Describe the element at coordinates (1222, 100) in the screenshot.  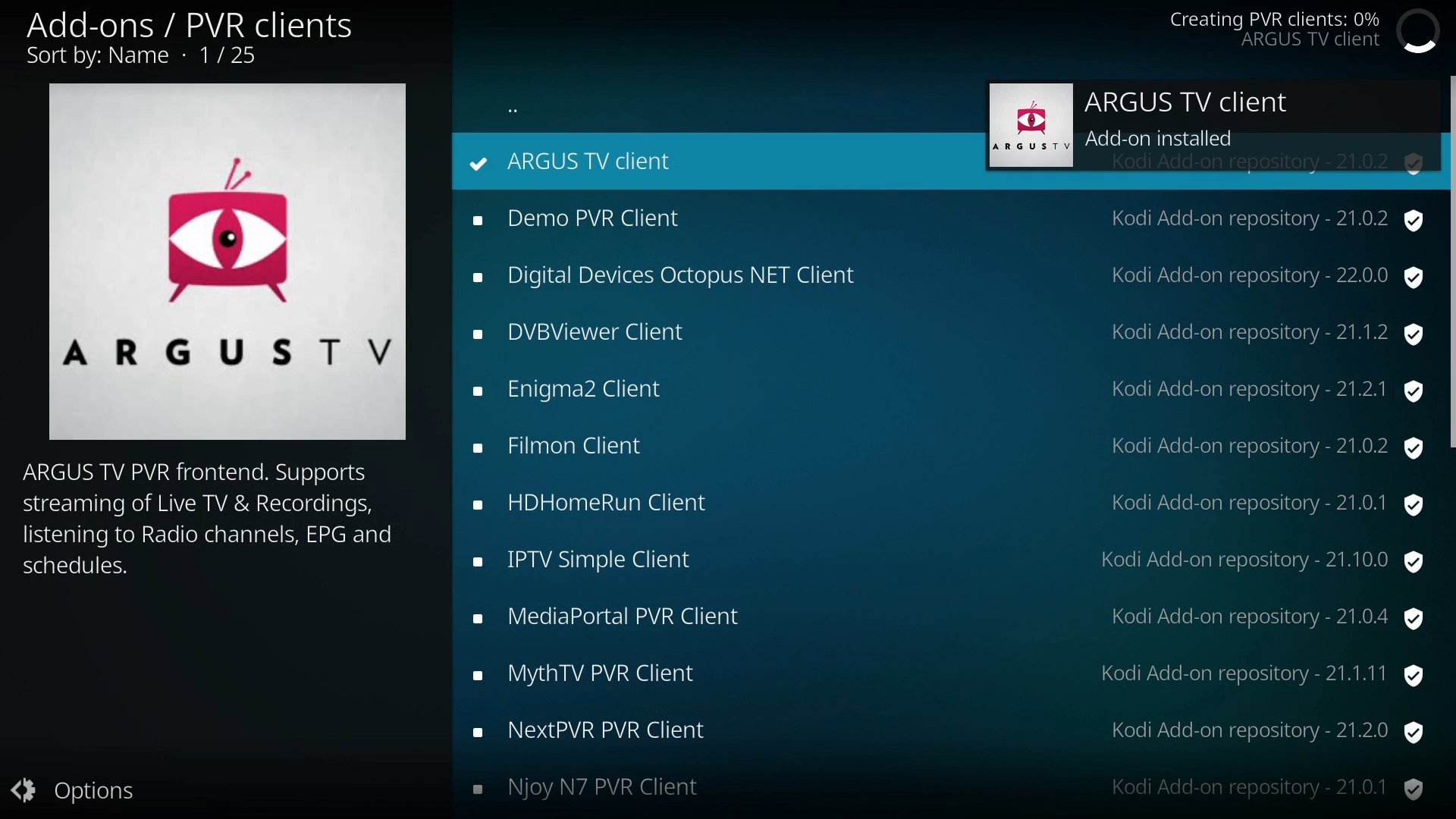
I see ` ARGUS TV client` at that location.